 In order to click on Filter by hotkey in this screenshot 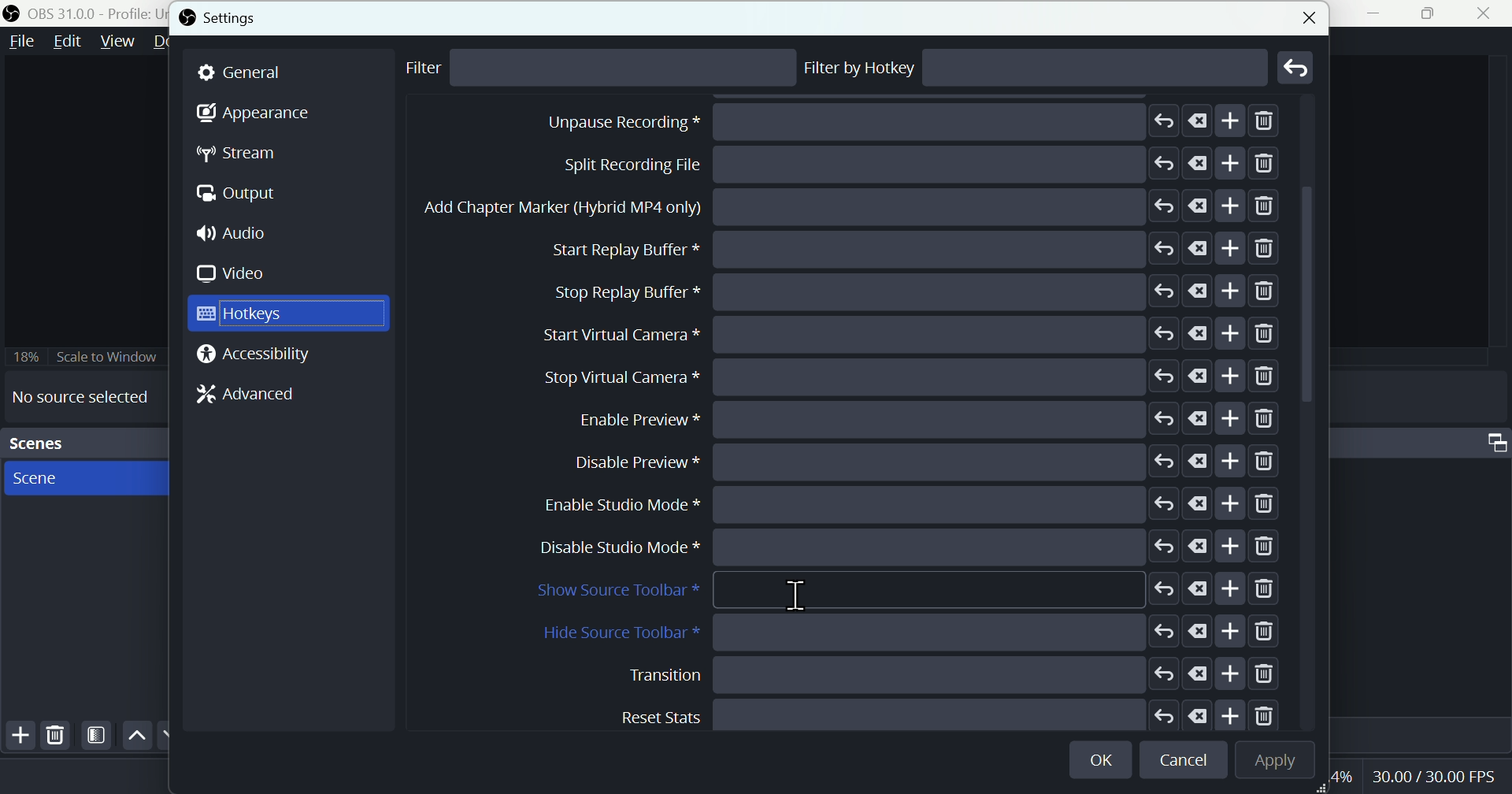, I will do `click(861, 68)`.